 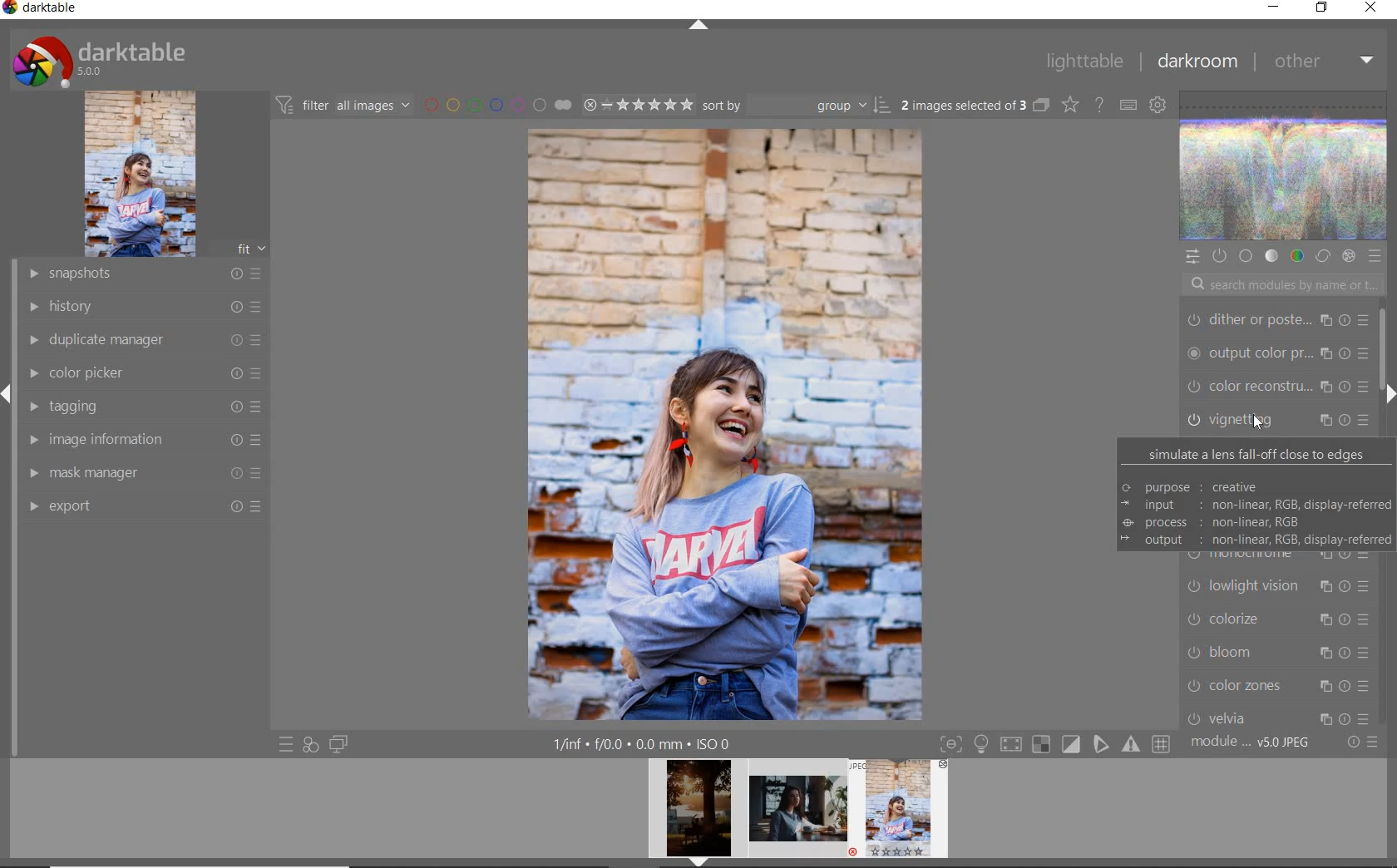 I want to click on correct, so click(x=1323, y=257).